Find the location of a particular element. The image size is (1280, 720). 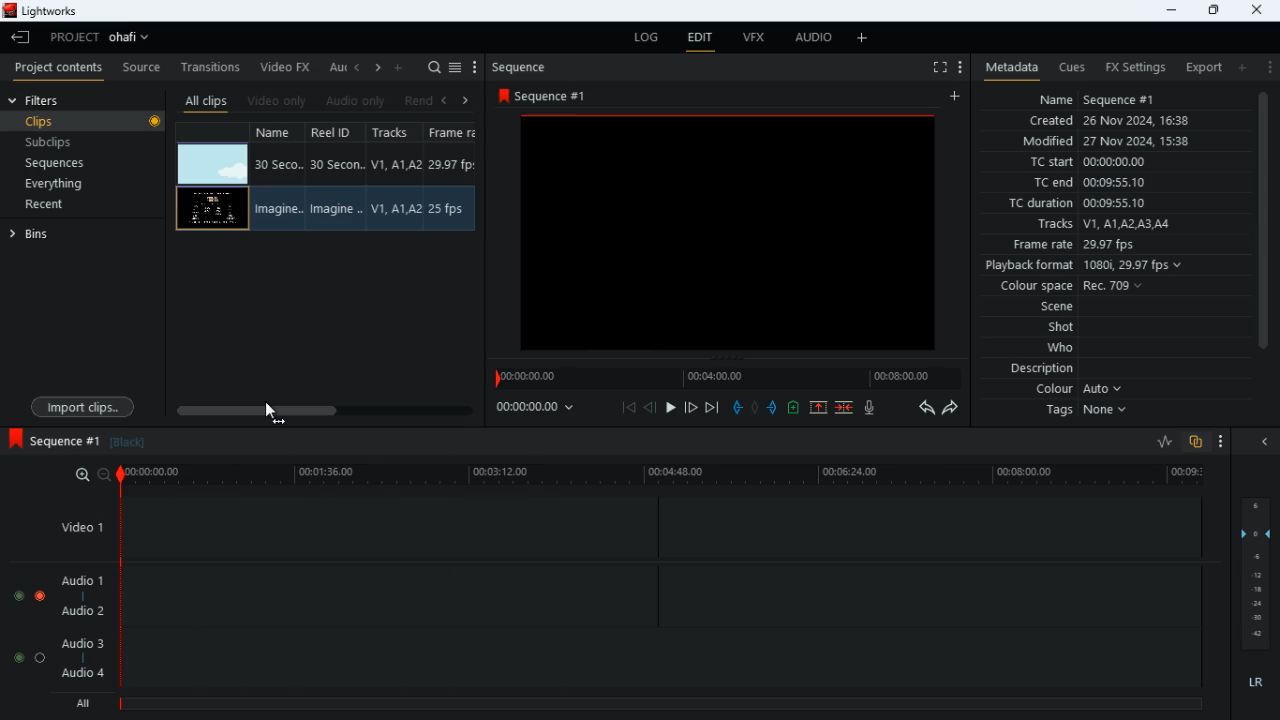

au is located at coordinates (338, 66).